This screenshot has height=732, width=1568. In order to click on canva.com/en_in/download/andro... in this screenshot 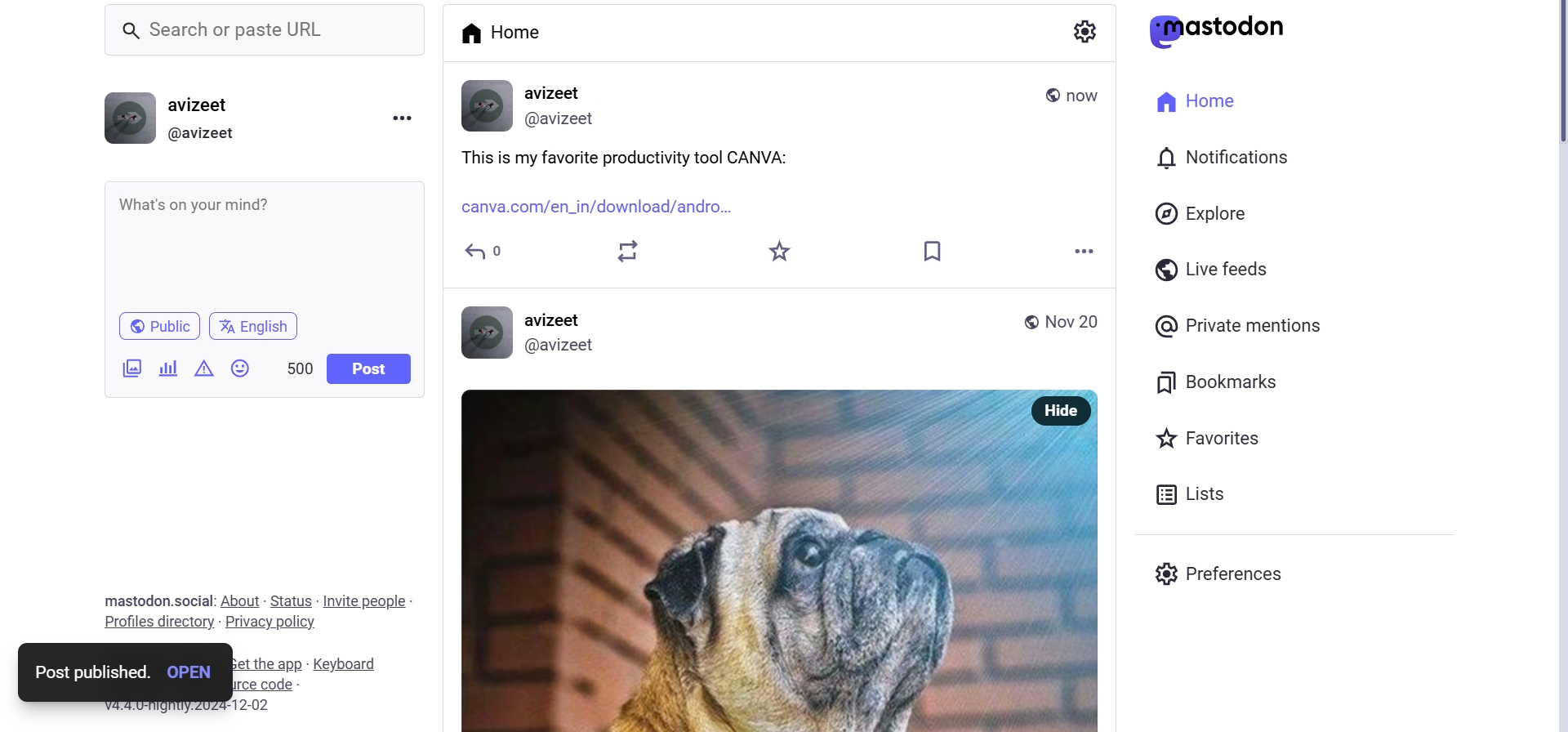, I will do `click(604, 208)`.